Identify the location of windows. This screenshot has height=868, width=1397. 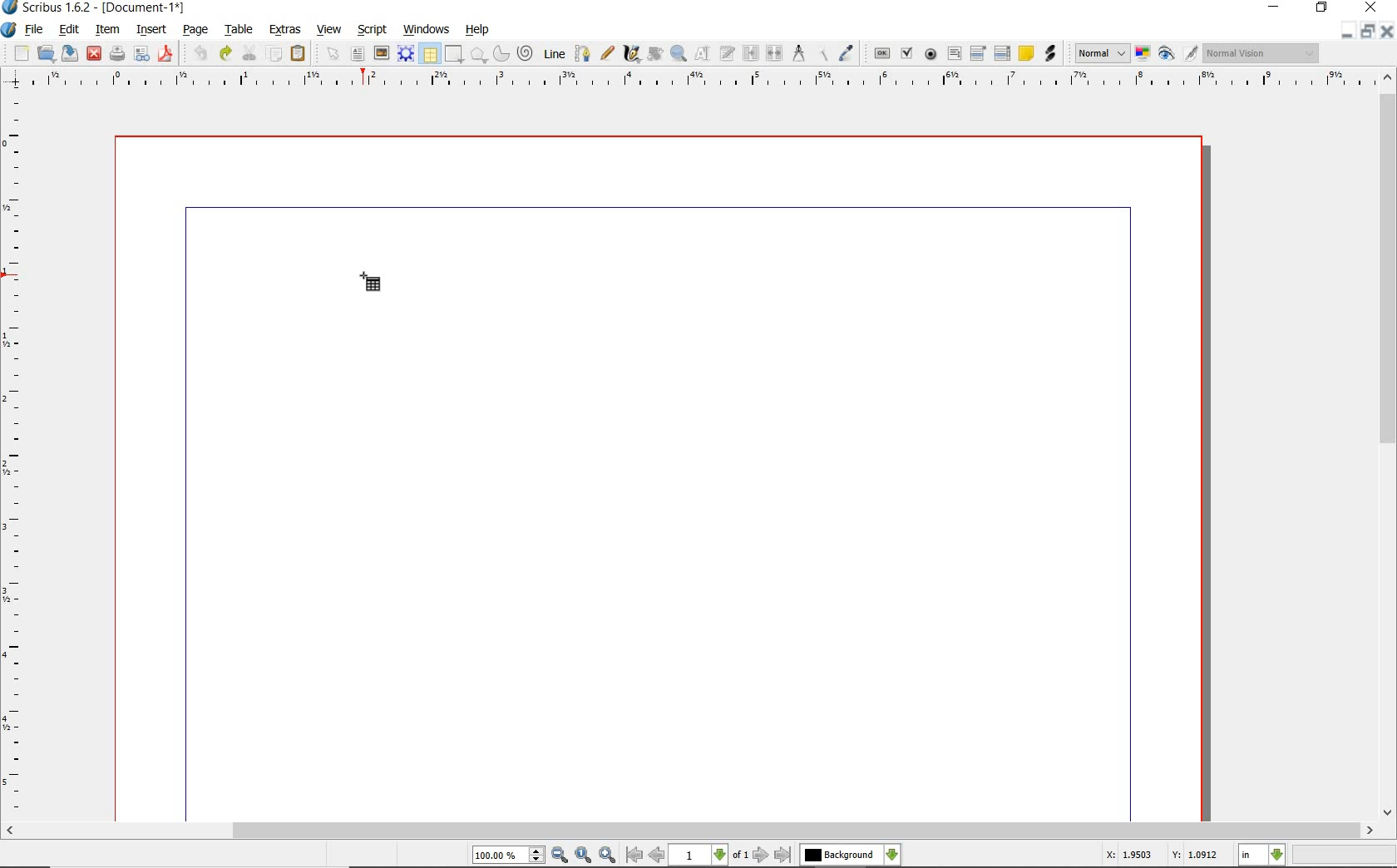
(426, 30).